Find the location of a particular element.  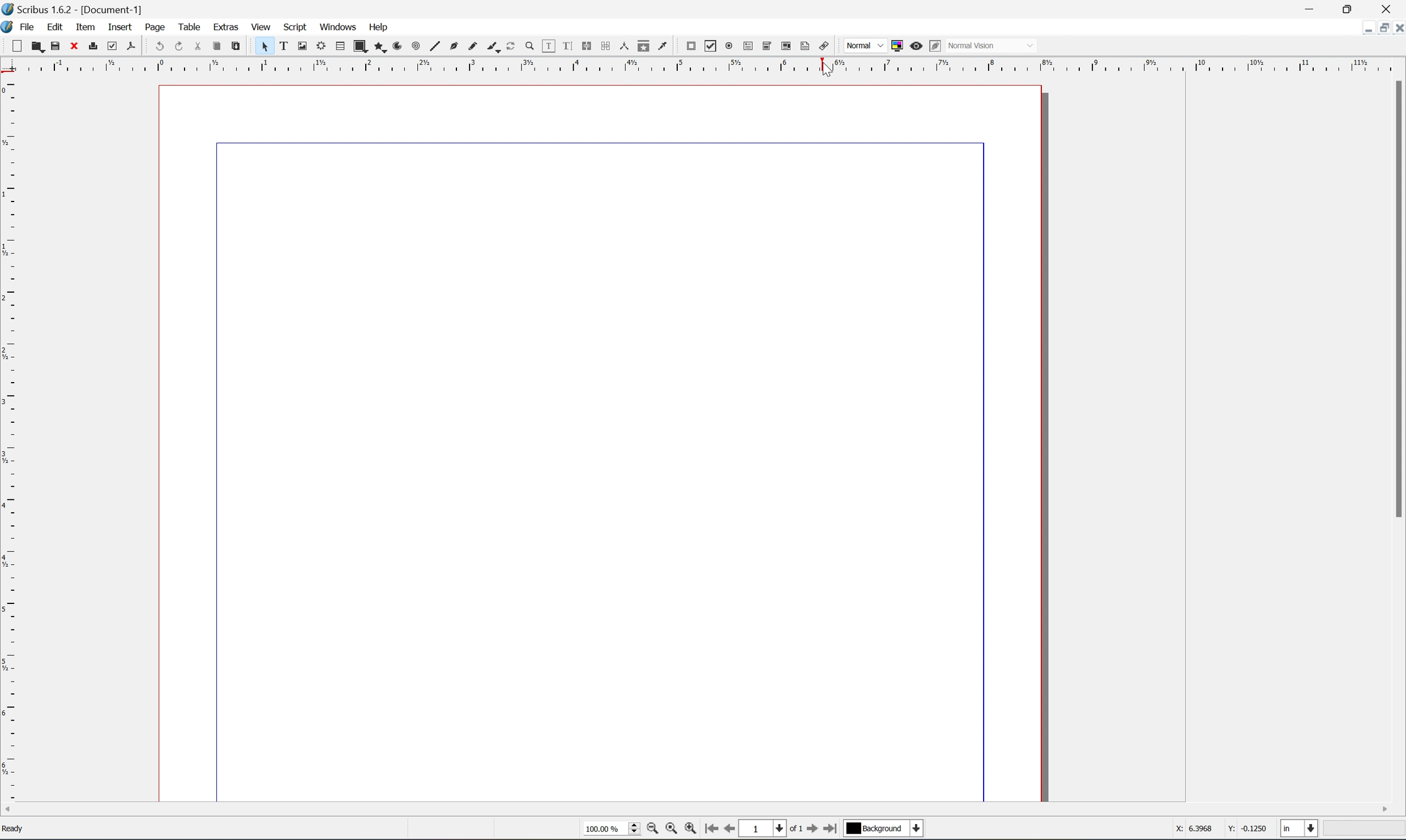

image frame is located at coordinates (303, 46).